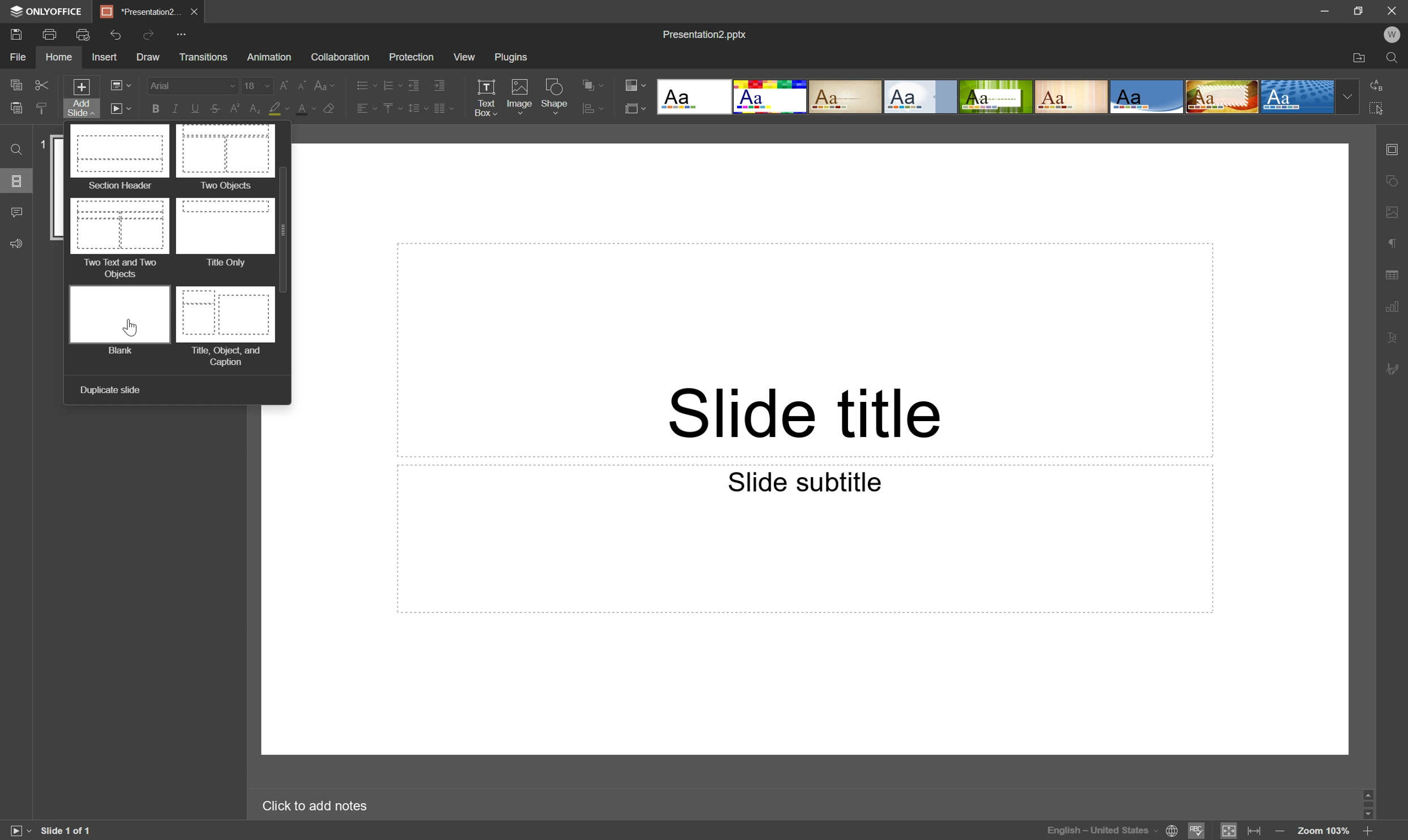 This screenshot has width=1408, height=840. Describe the element at coordinates (146, 55) in the screenshot. I see `Draw` at that location.